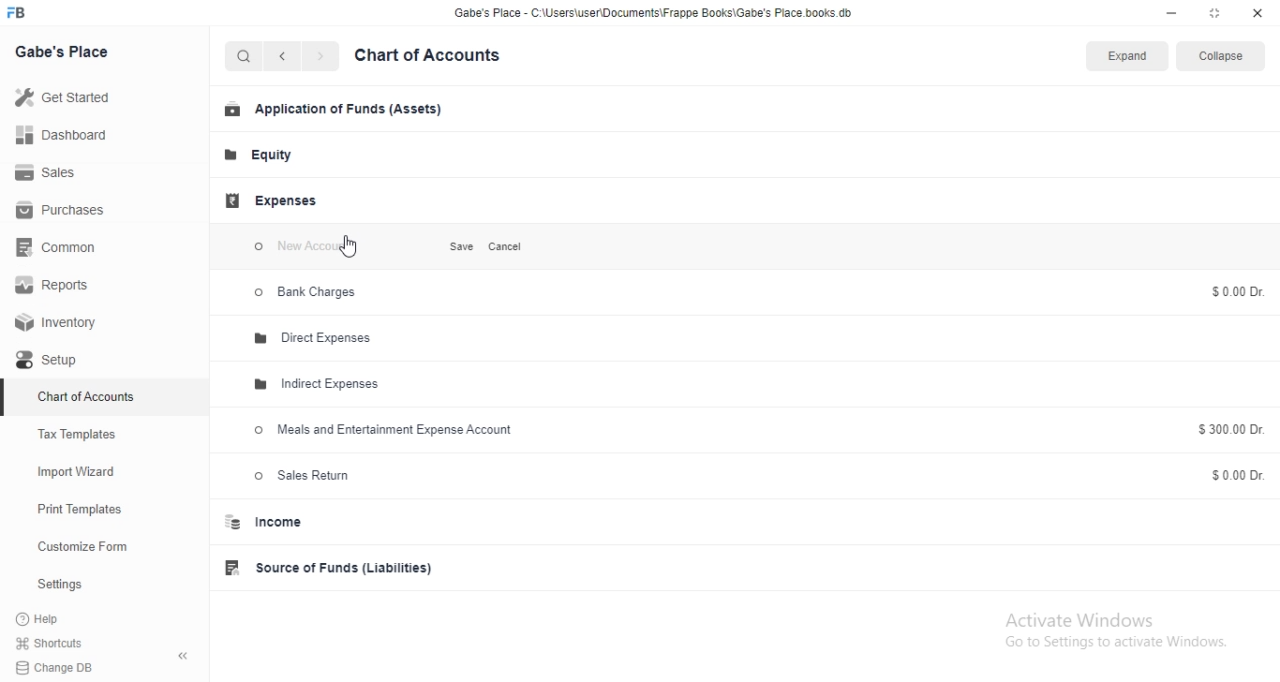 The image size is (1280, 682). What do you see at coordinates (59, 619) in the screenshot?
I see `?Help` at bounding box center [59, 619].